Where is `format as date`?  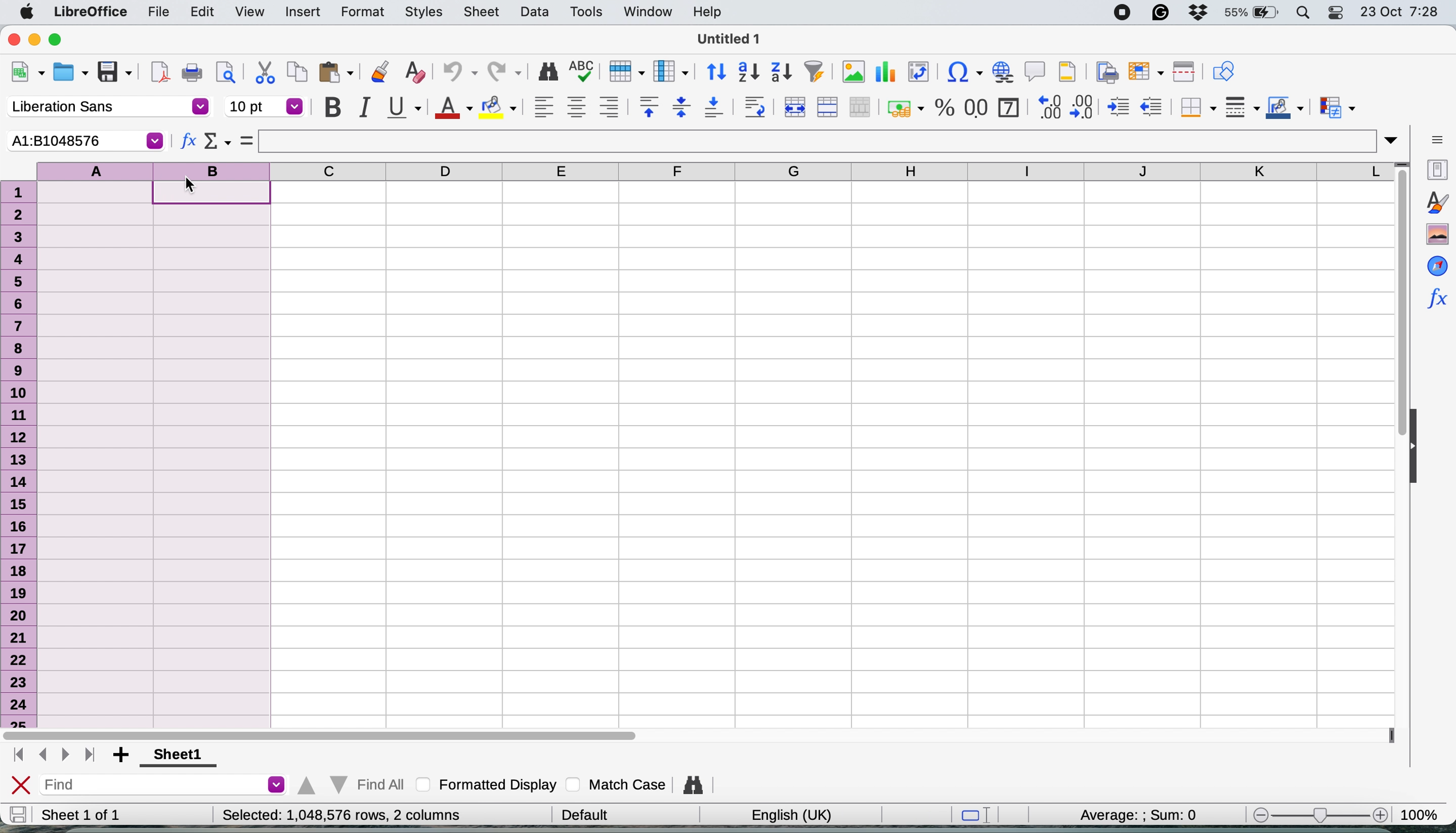 format as date is located at coordinates (1008, 107).